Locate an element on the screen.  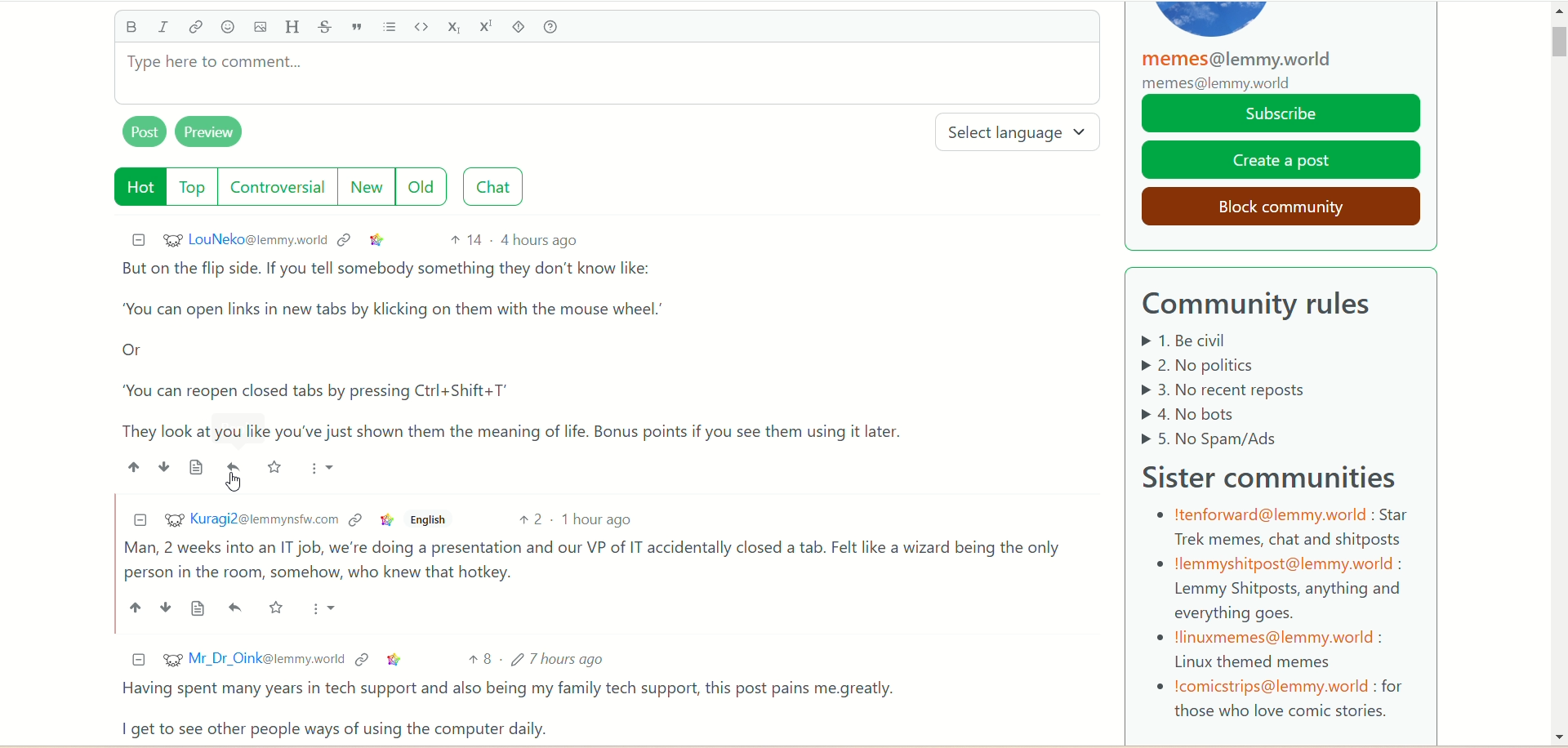
reply is located at coordinates (236, 466).